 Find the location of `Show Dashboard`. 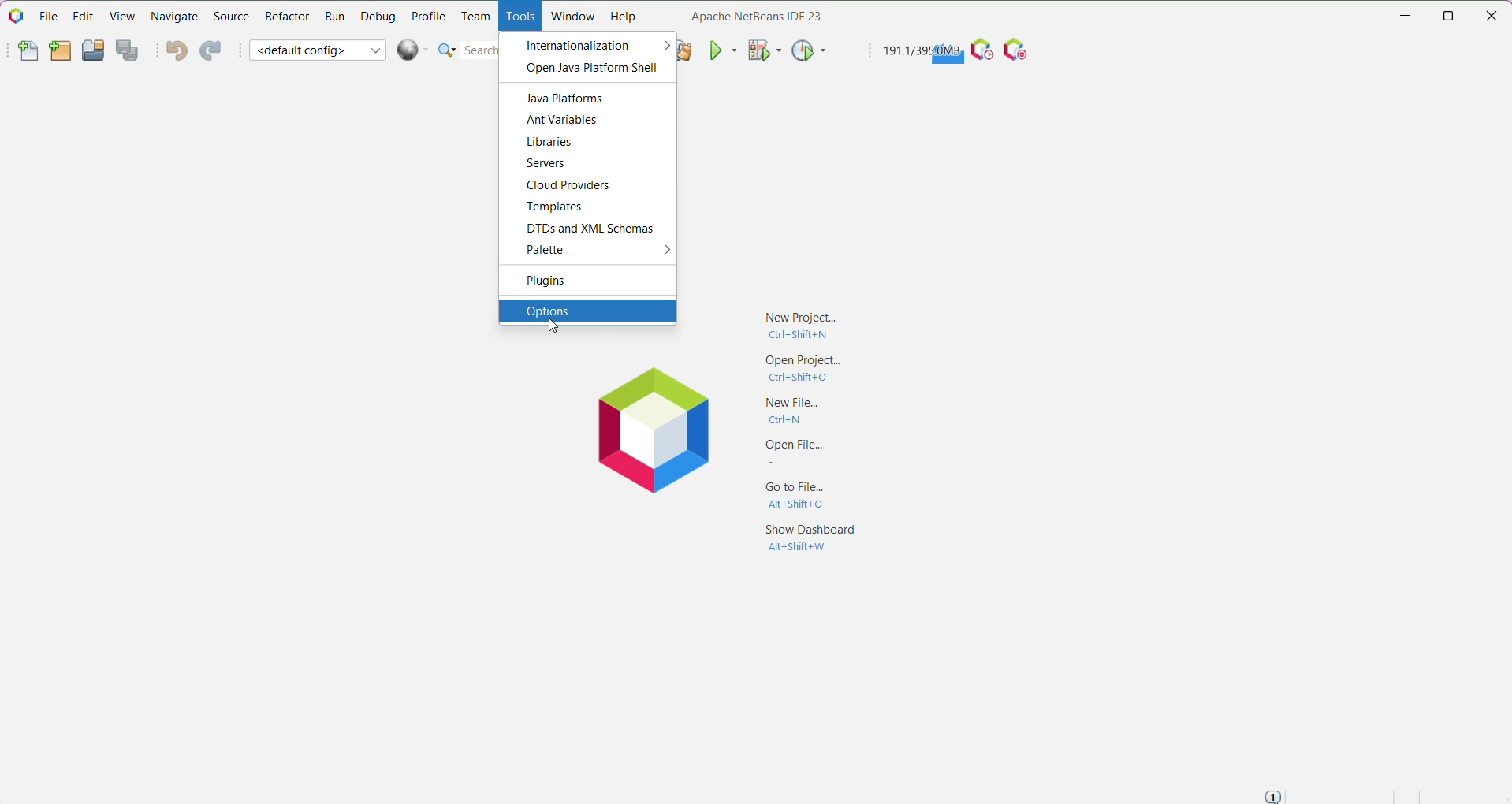

Show Dashboard is located at coordinates (806, 539).